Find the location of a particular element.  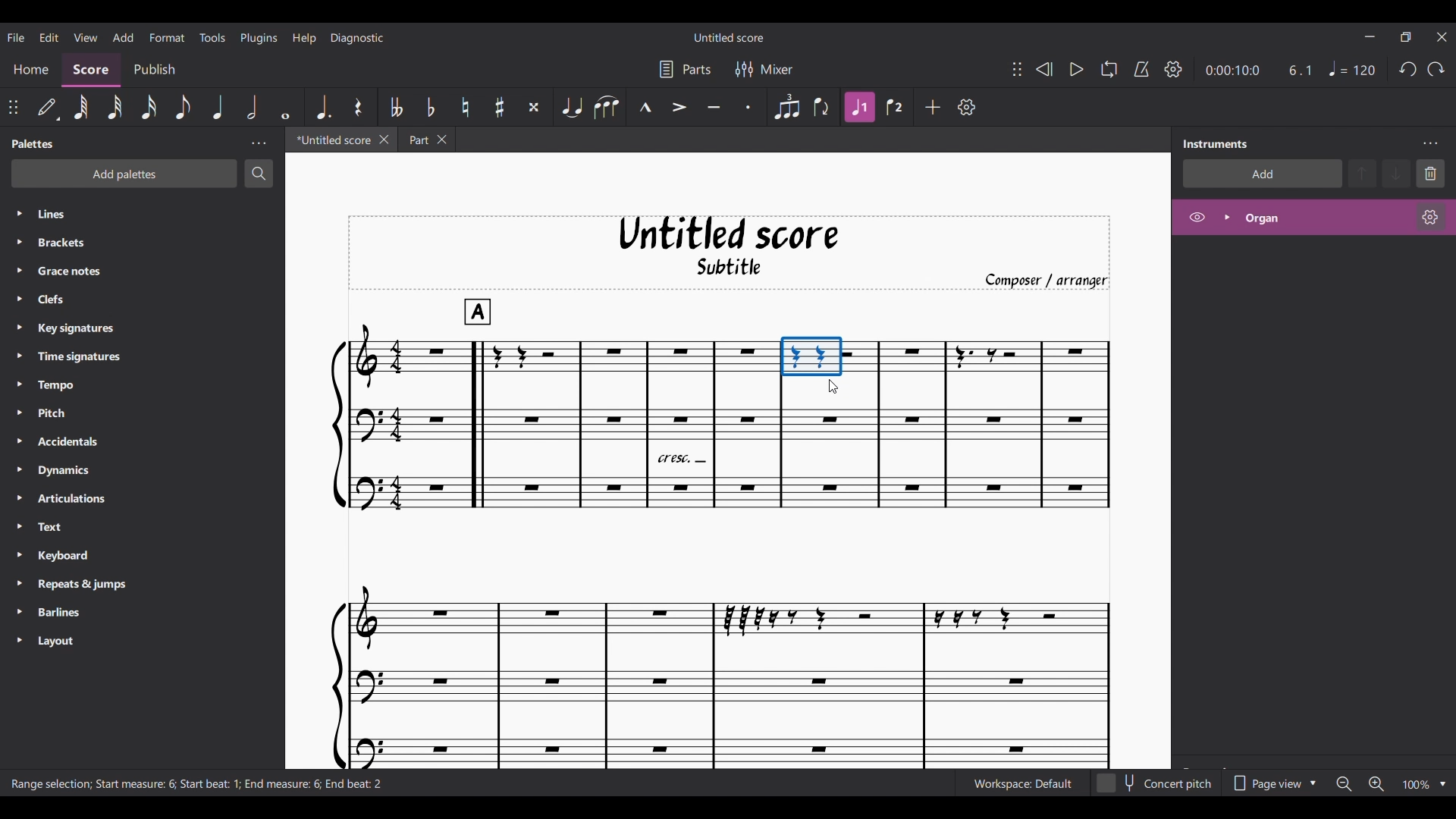

Accent is located at coordinates (679, 108).